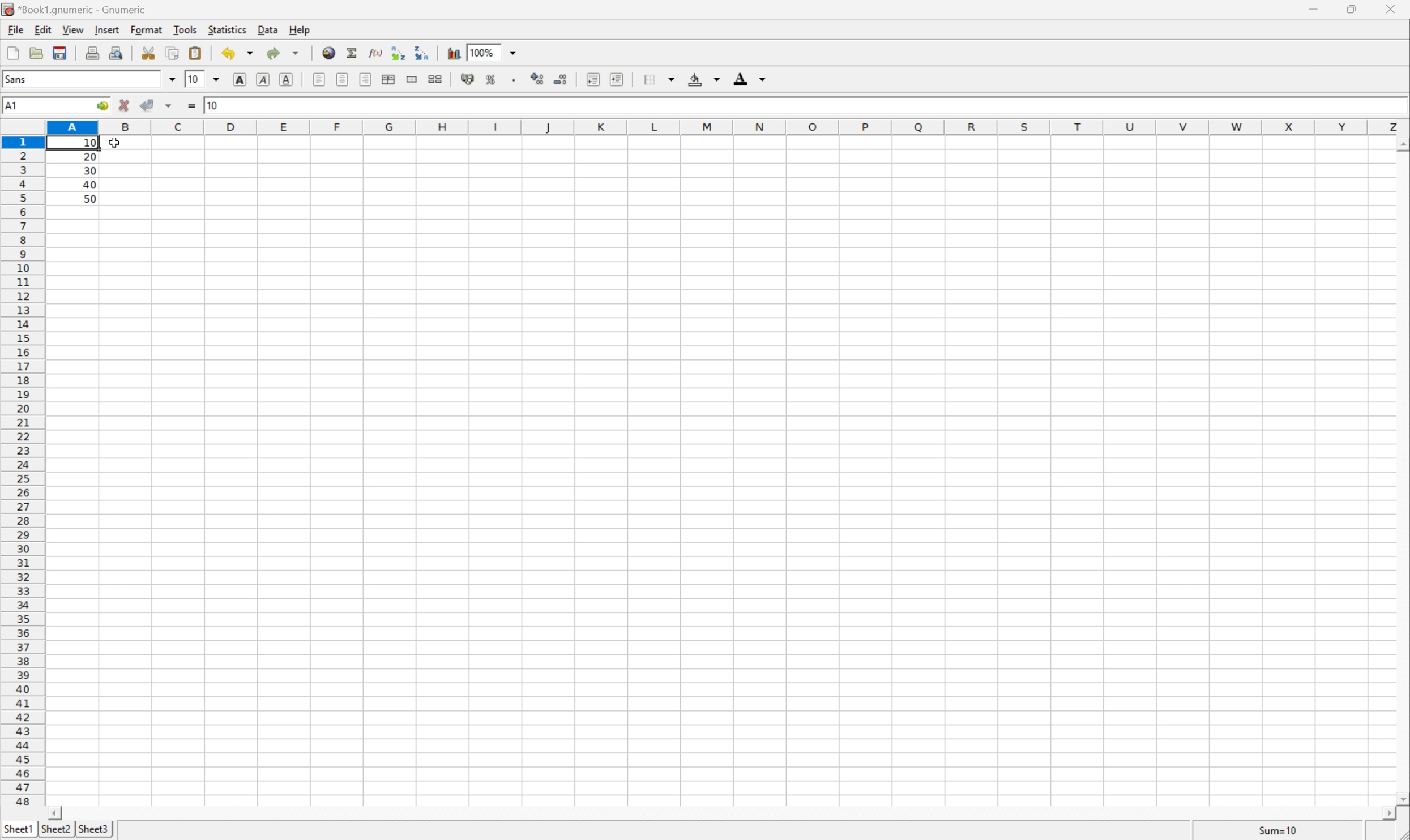  I want to click on Sans, so click(19, 79).